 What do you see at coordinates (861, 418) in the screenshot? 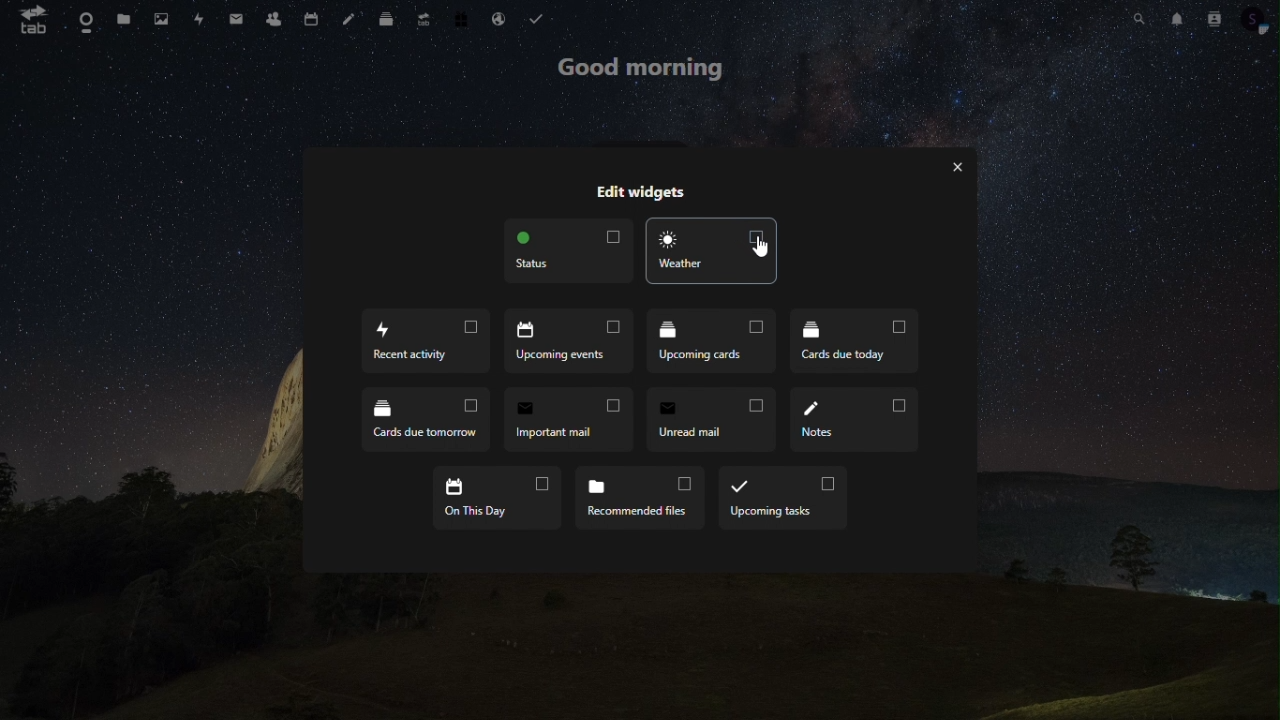
I see `notes` at bounding box center [861, 418].